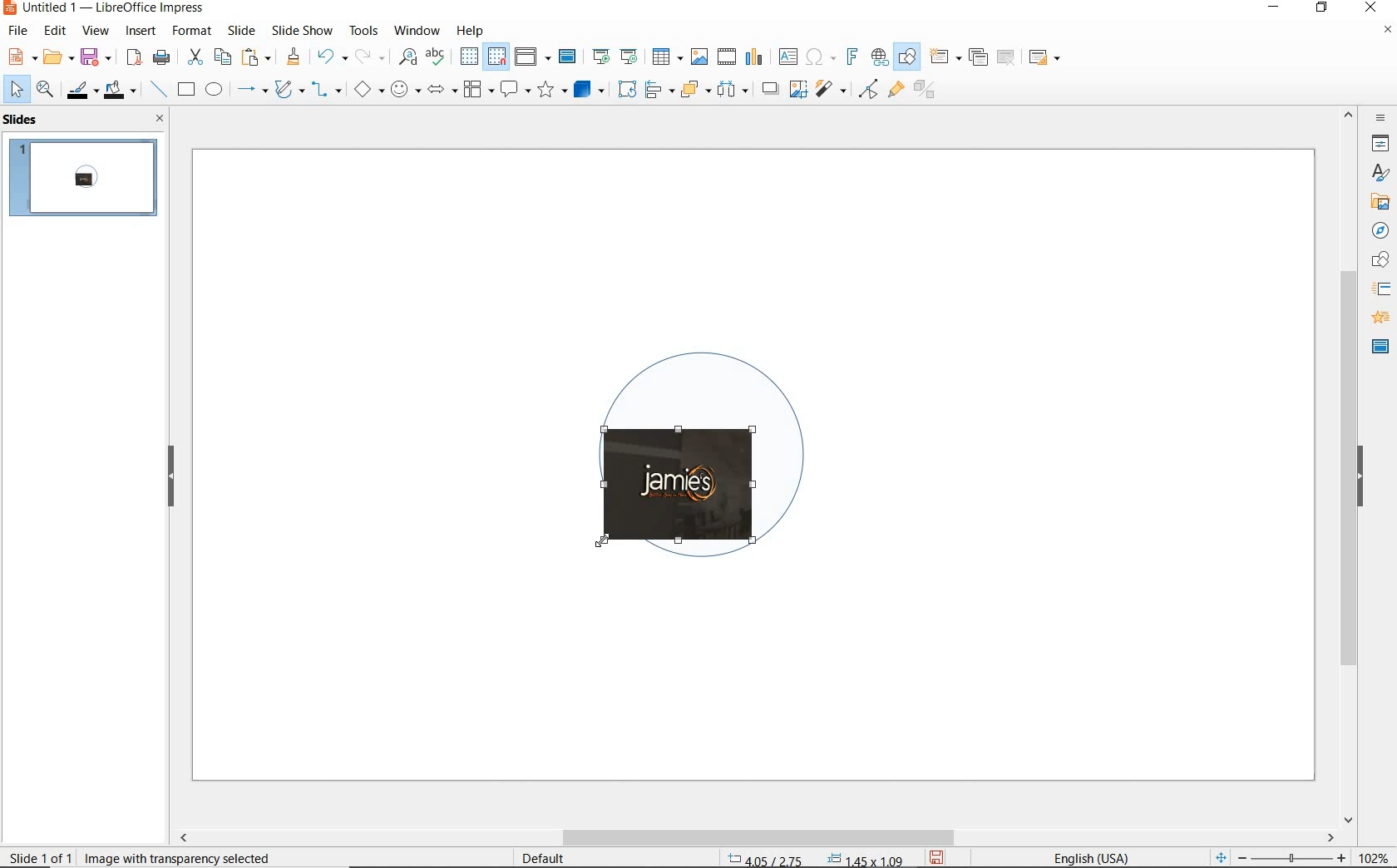  Describe the element at coordinates (938, 856) in the screenshot. I see `save` at that location.